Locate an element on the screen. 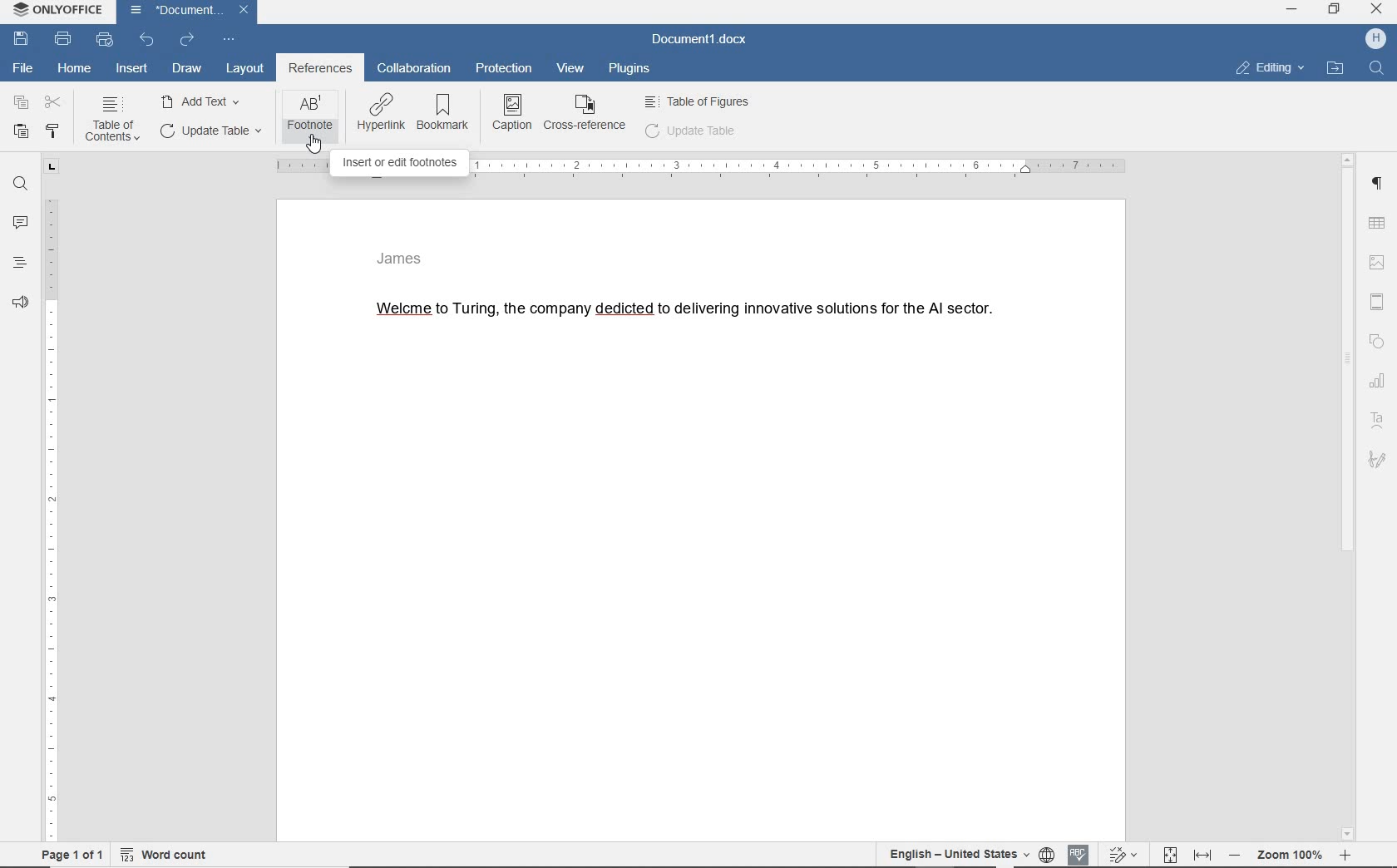 The height and width of the screenshot is (868, 1397). page 1 of 1 is located at coordinates (78, 857).